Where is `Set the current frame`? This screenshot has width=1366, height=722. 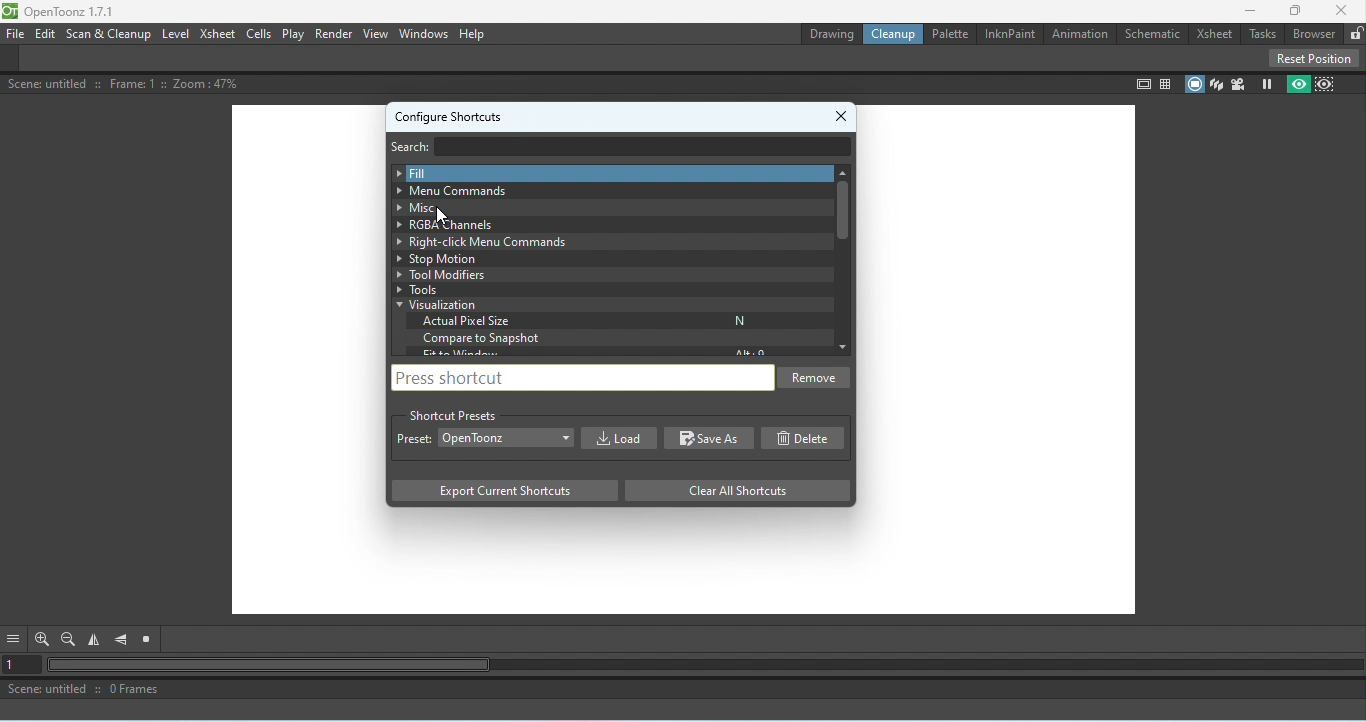
Set the current frame is located at coordinates (22, 666).